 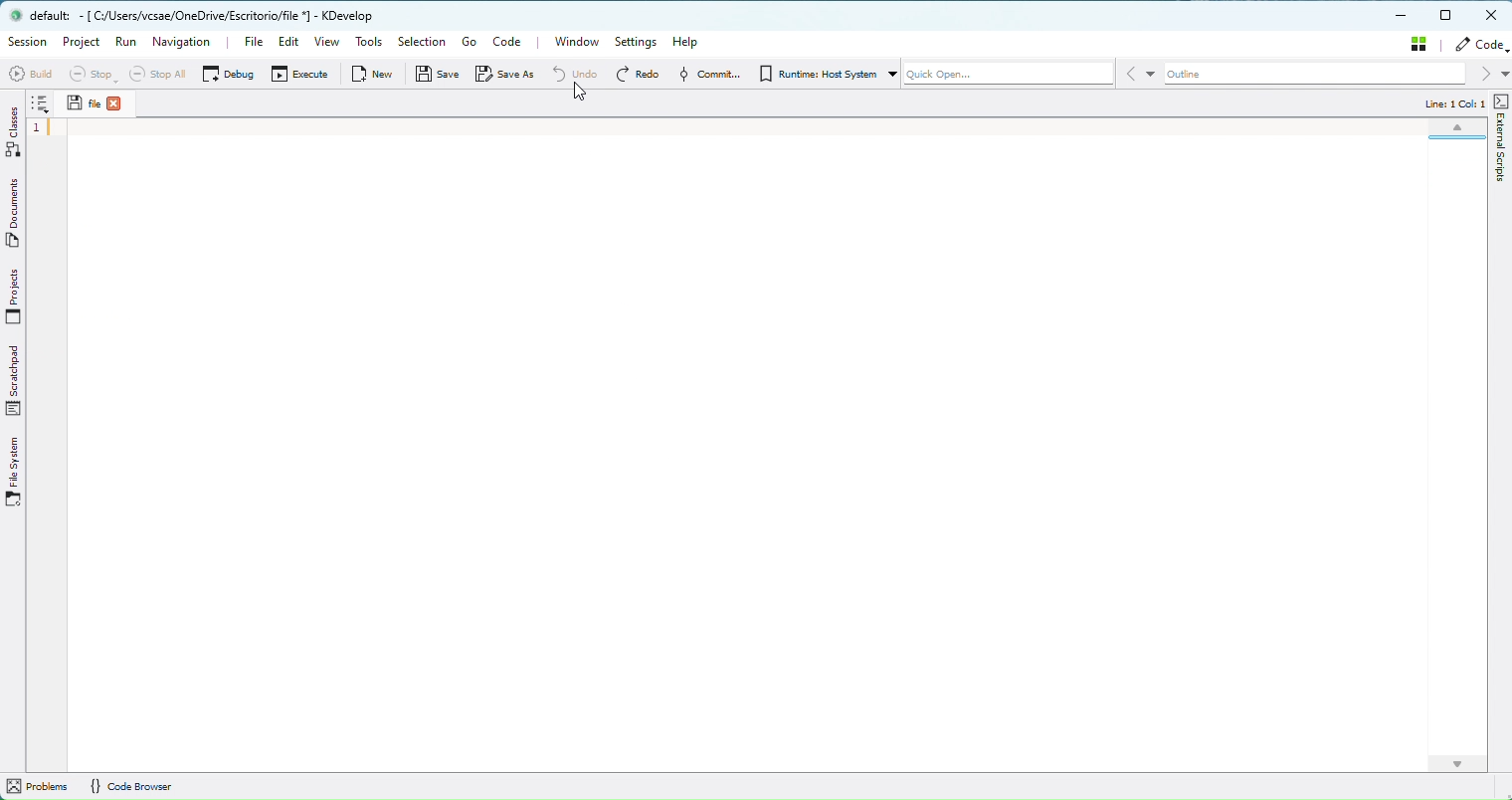 What do you see at coordinates (1403, 15) in the screenshot?
I see `Minimize` at bounding box center [1403, 15].